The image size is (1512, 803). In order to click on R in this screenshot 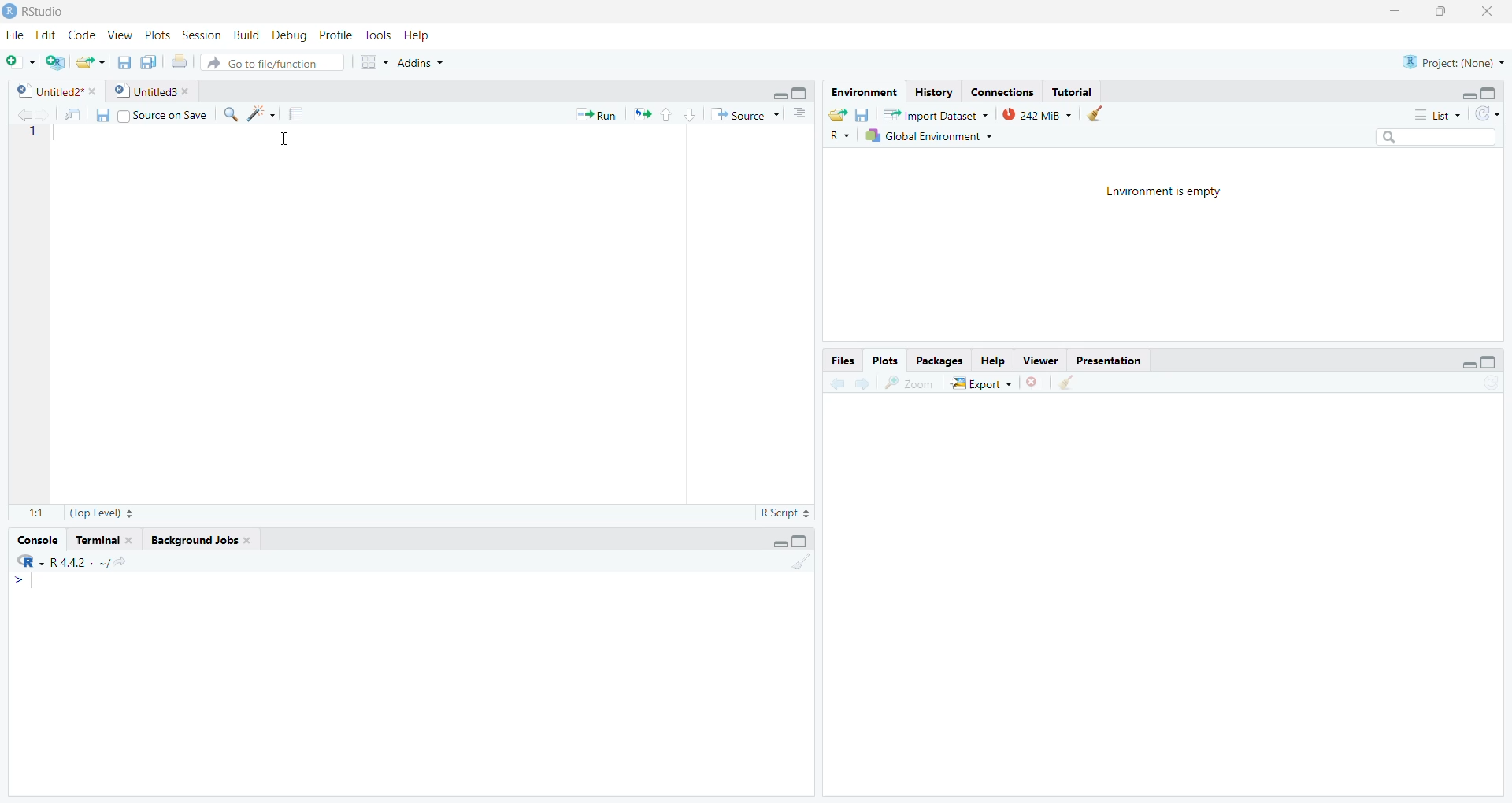, I will do `click(838, 135)`.